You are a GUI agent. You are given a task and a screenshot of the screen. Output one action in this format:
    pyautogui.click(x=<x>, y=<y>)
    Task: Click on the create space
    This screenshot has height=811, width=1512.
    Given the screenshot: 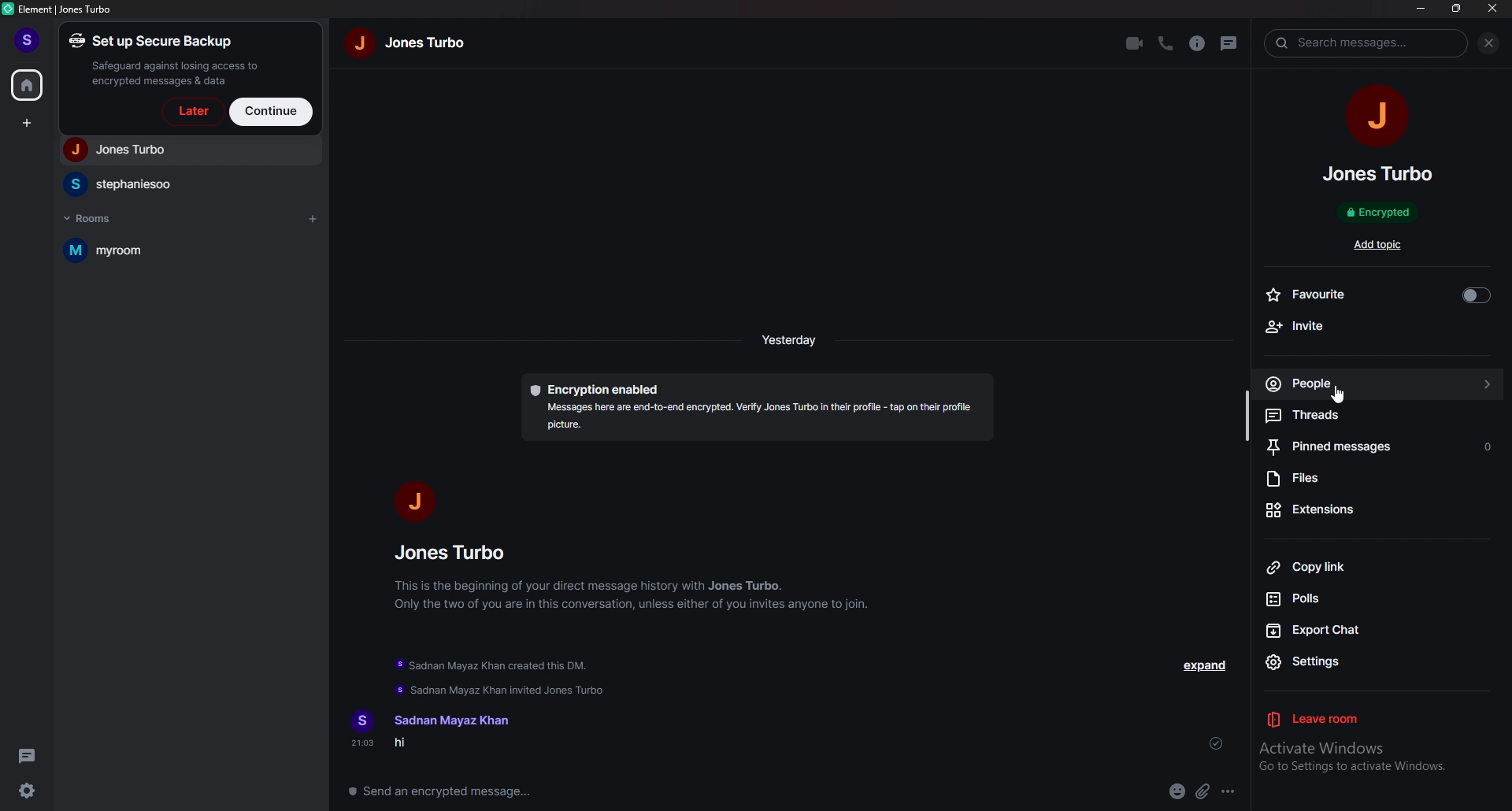 What is the action you would take?
    pyautogui.click(x=29, y=124)
    